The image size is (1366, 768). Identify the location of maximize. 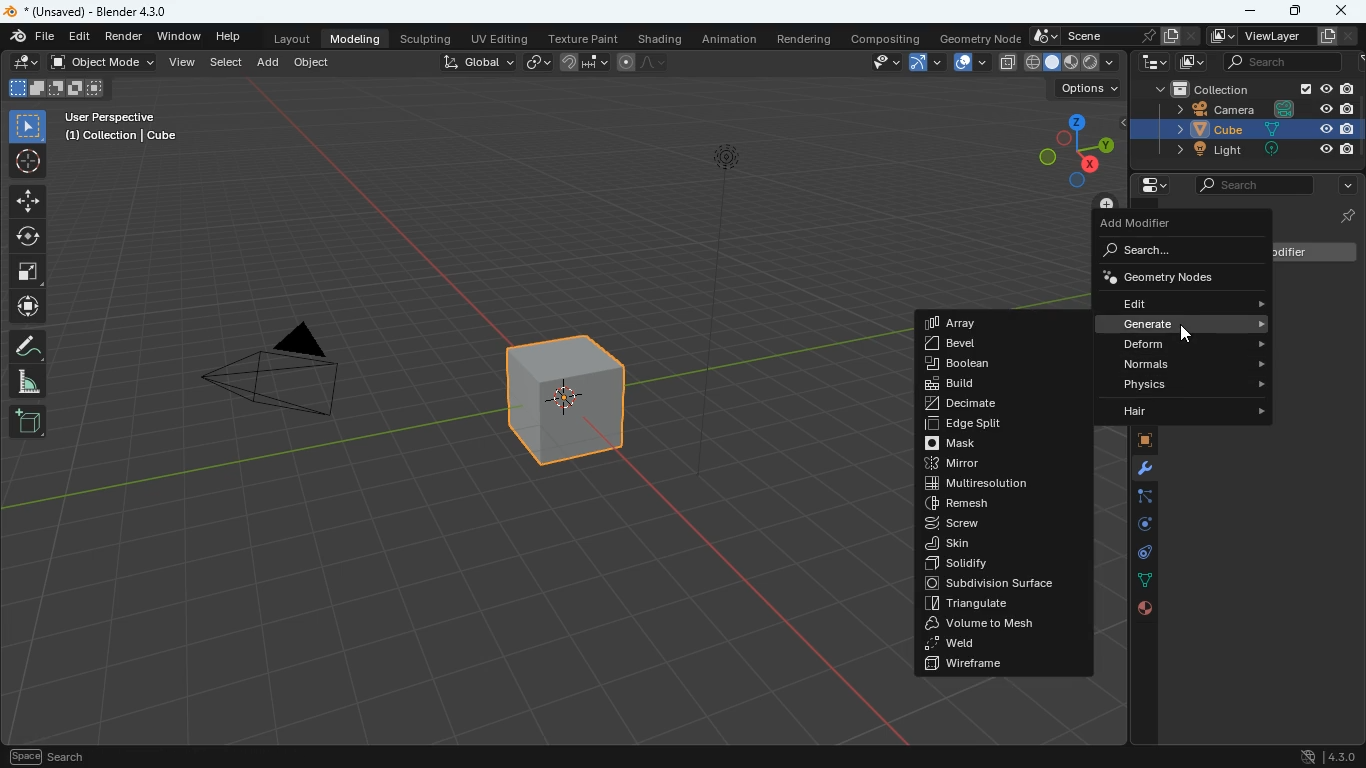
(1293, 9).